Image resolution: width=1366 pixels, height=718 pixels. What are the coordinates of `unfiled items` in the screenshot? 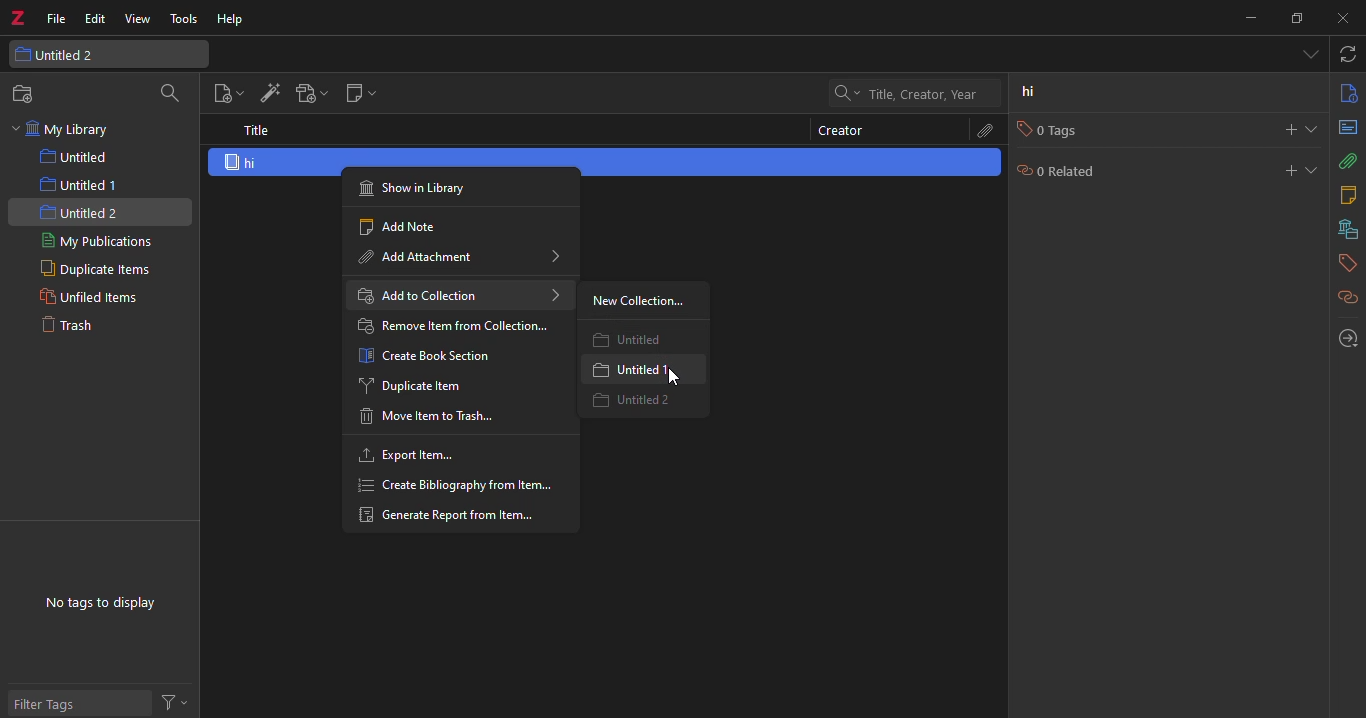 It's located at (81, 298).